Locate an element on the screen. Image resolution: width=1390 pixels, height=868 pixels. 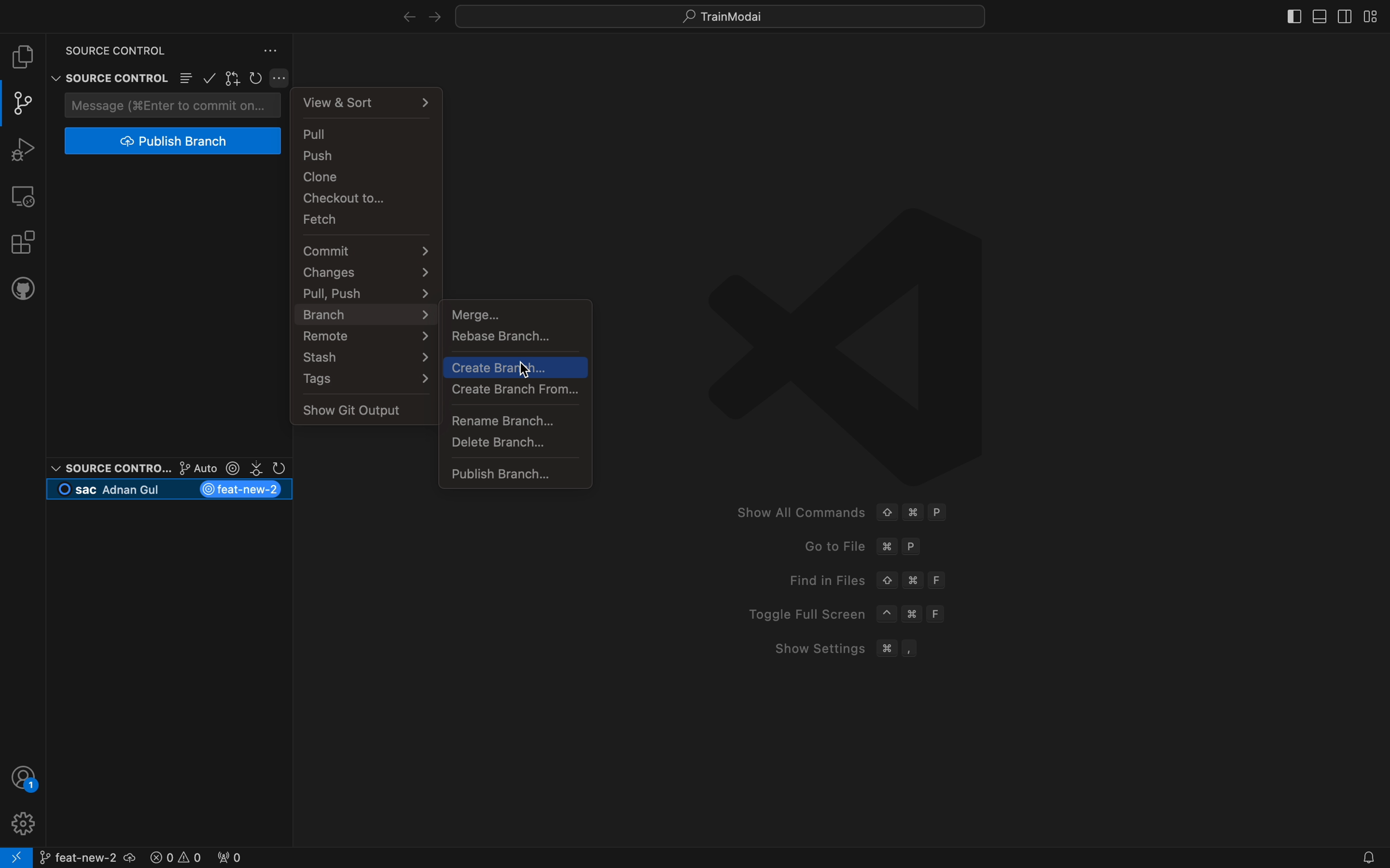
view and sort is located at coordinates (370, 100).